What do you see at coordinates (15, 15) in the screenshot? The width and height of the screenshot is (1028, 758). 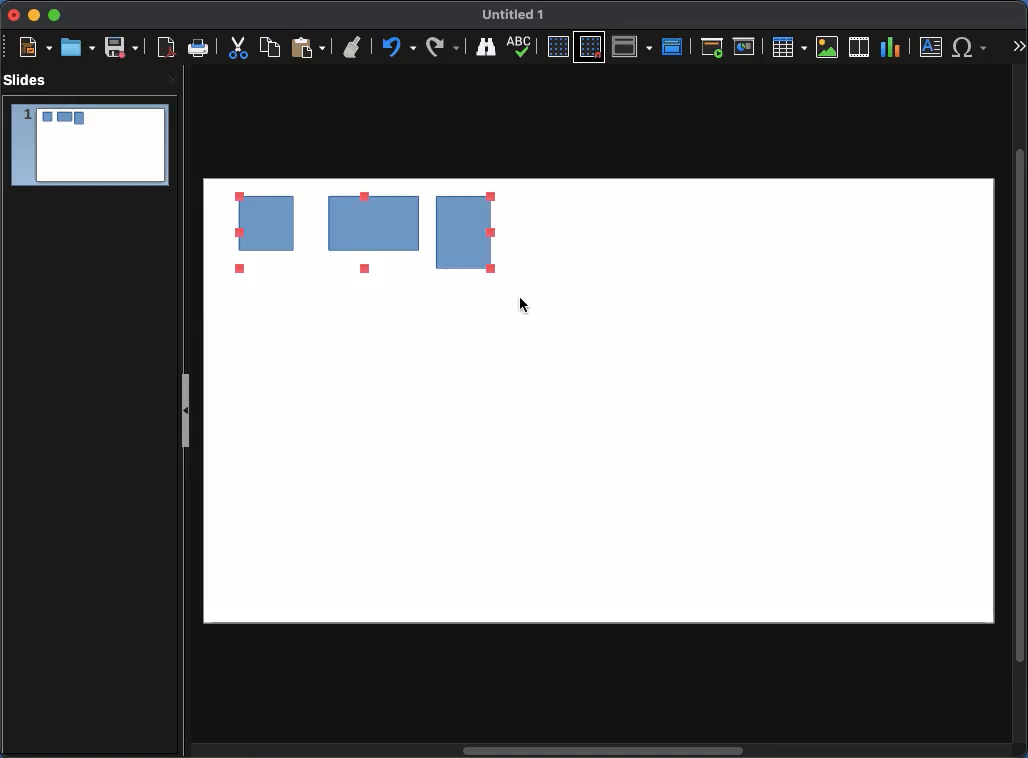 I see `Close` at bounding box center [15, 15].